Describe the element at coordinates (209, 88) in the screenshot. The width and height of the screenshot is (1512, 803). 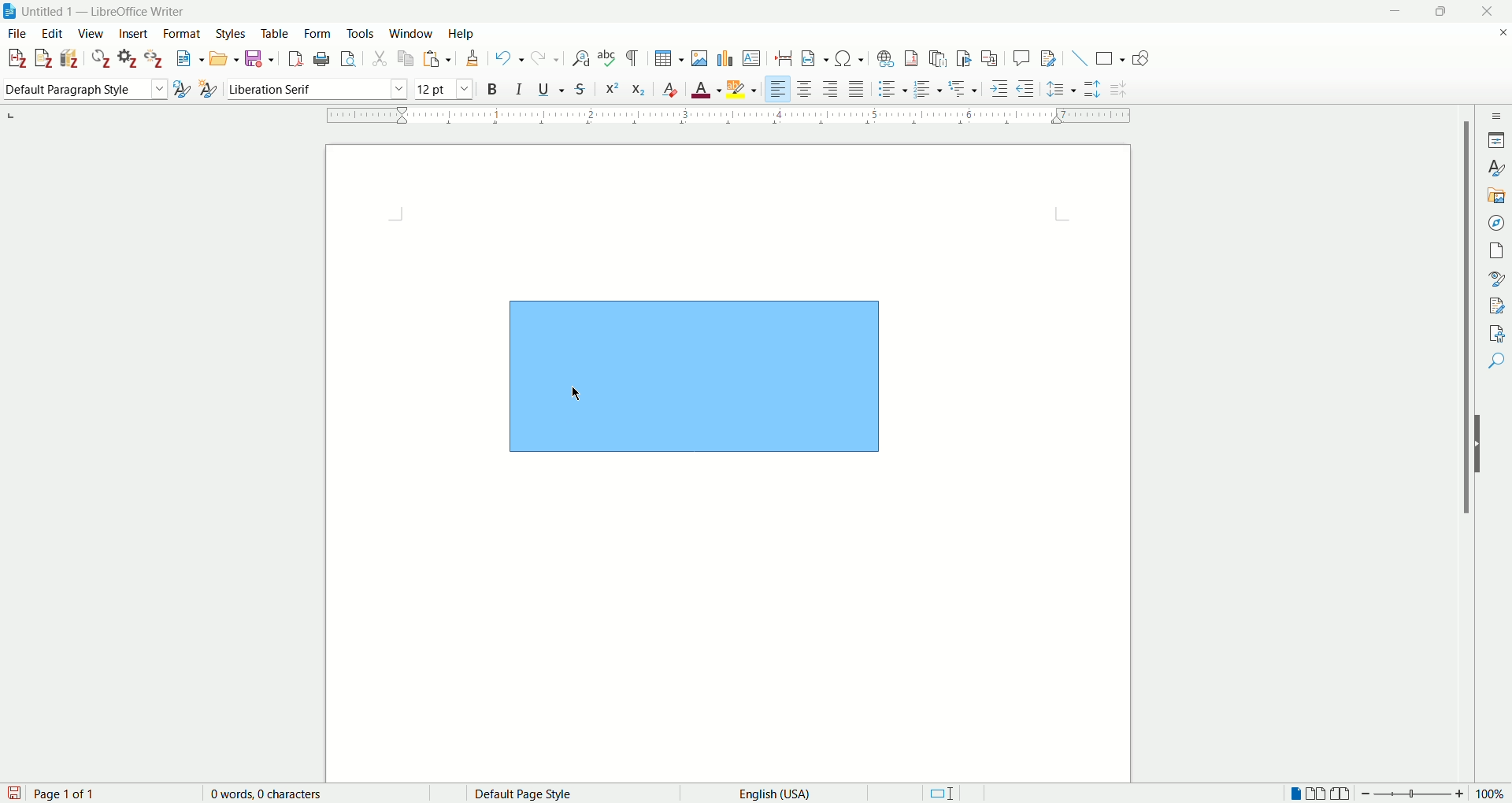
I see `new style` at that location.